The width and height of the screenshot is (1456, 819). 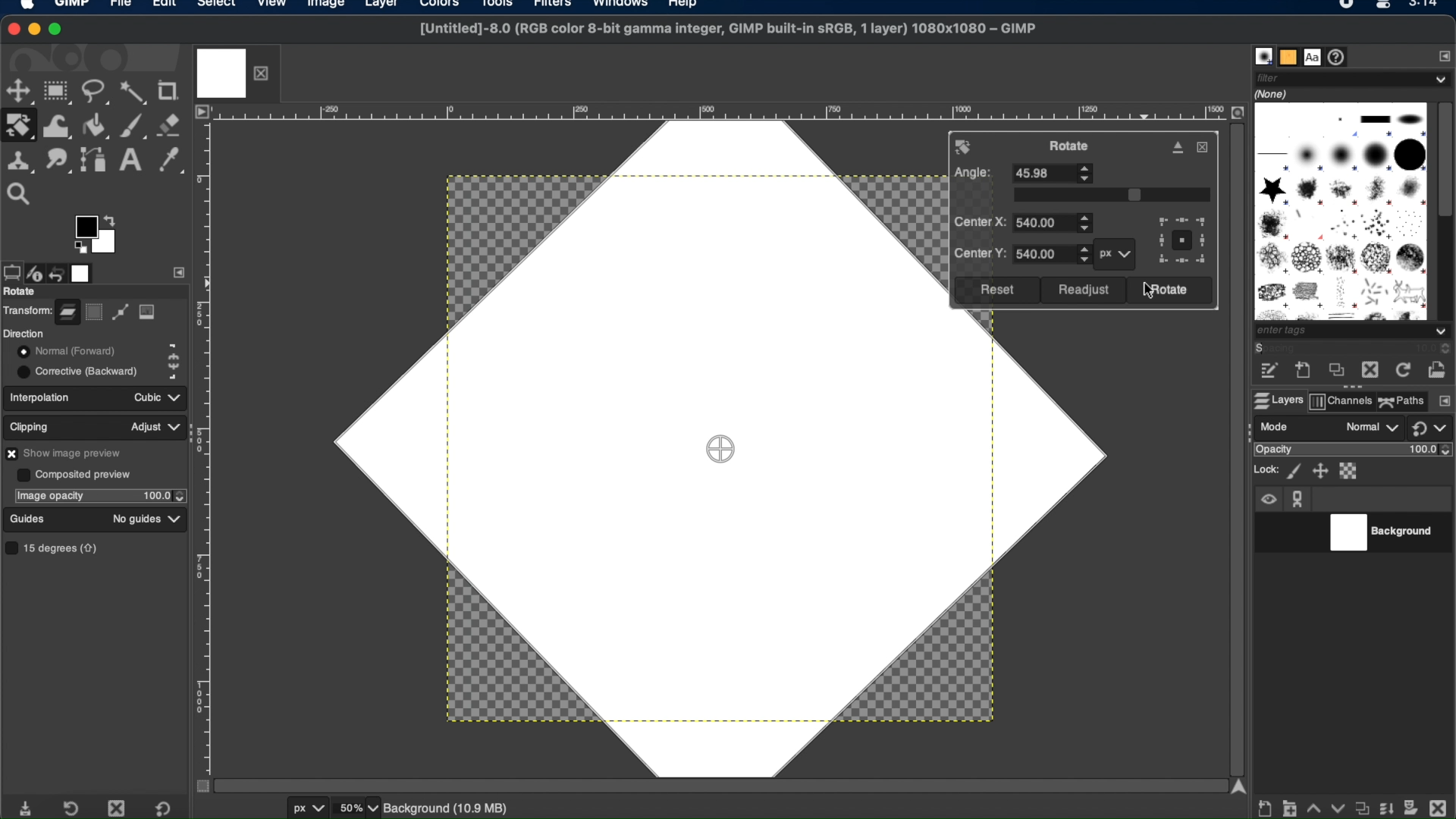 What do you see at coordinates (1441, 349) in the screenshot?
I see `spacing stepper buttons` at bounding box center [1441, 349].